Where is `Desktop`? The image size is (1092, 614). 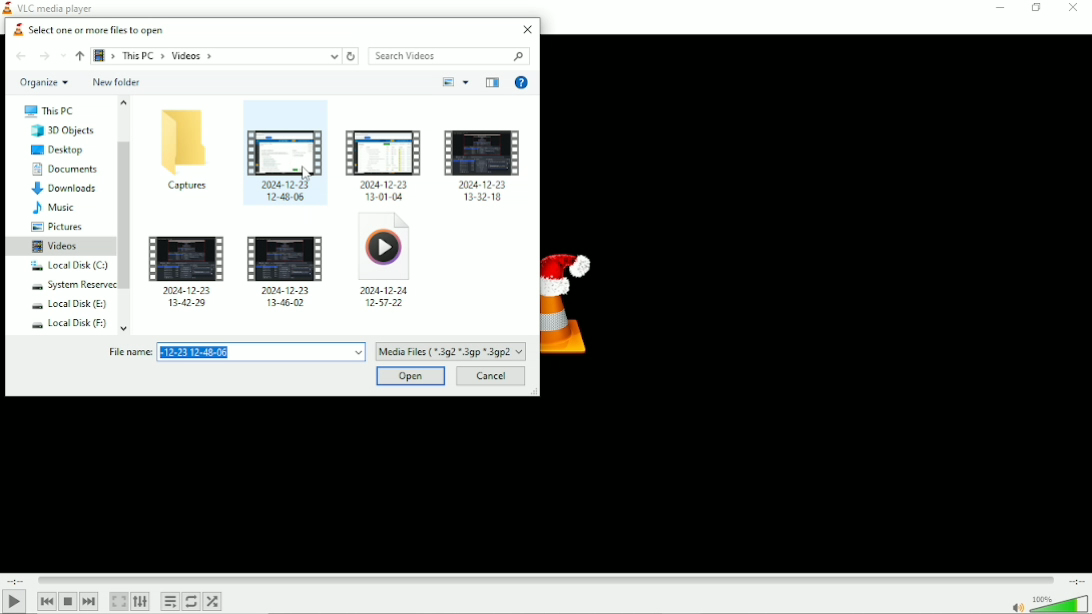
Desktop is located at coordinates (56, 150).